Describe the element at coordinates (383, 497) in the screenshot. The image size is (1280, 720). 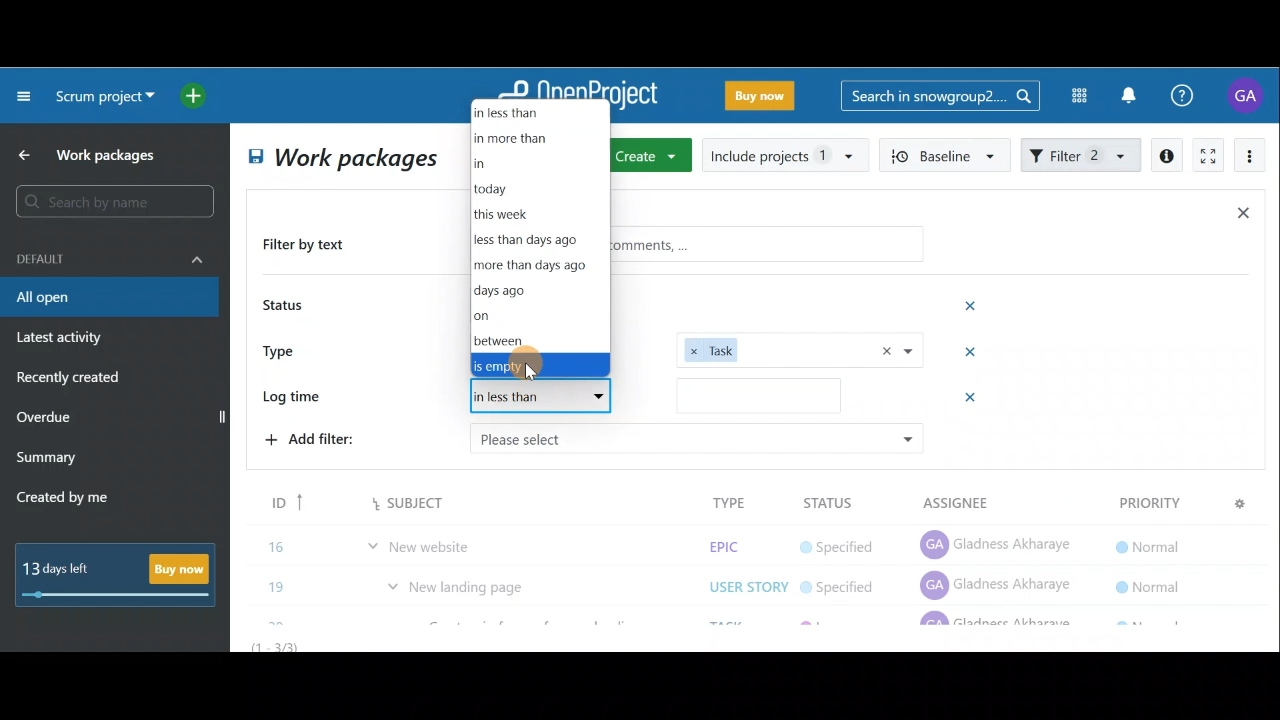
I see `Item 14` at that location.